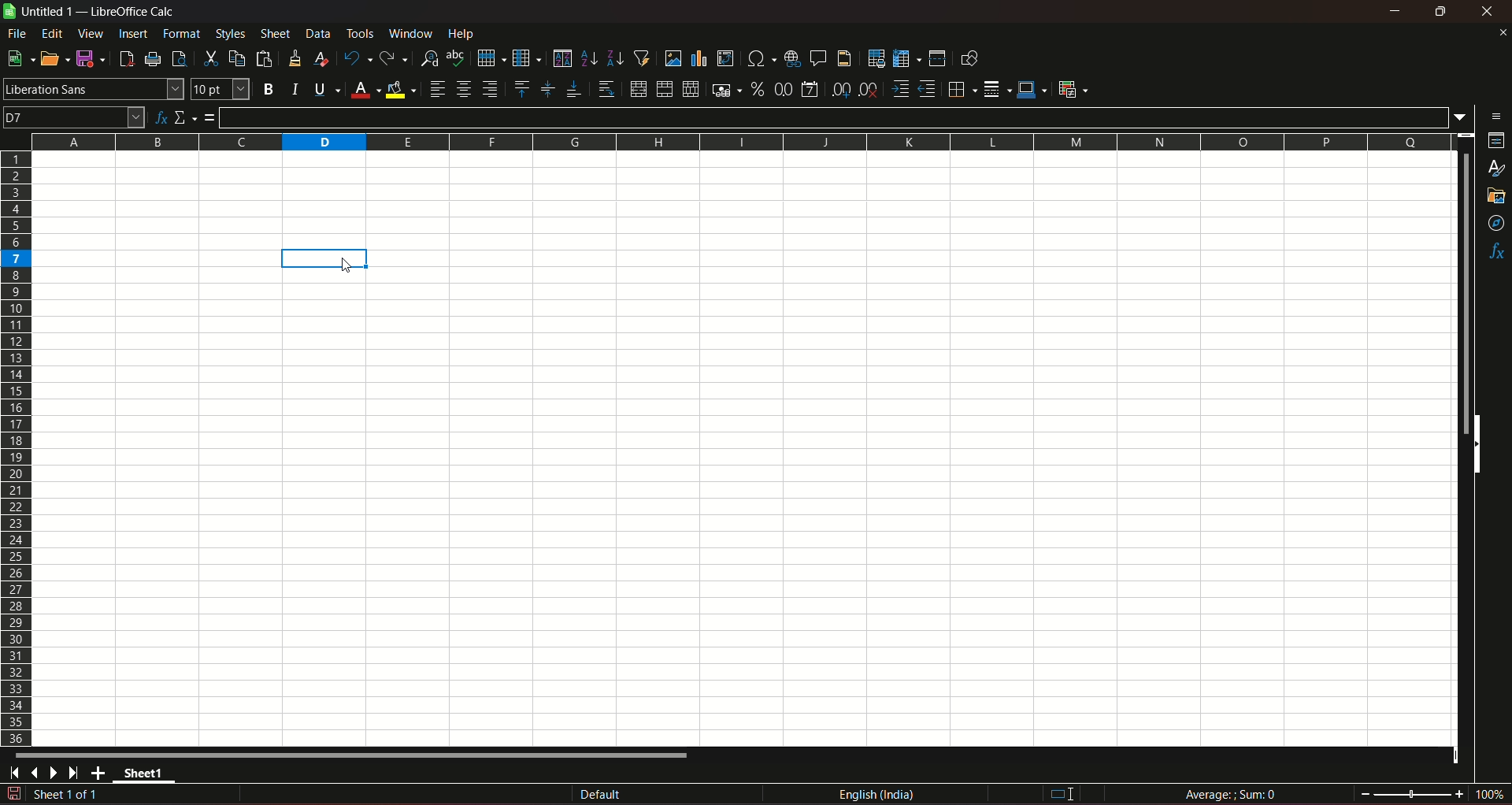 The height and width of the screenshot is (805, 1512). I want to click on sheet name, so click(148, 776).